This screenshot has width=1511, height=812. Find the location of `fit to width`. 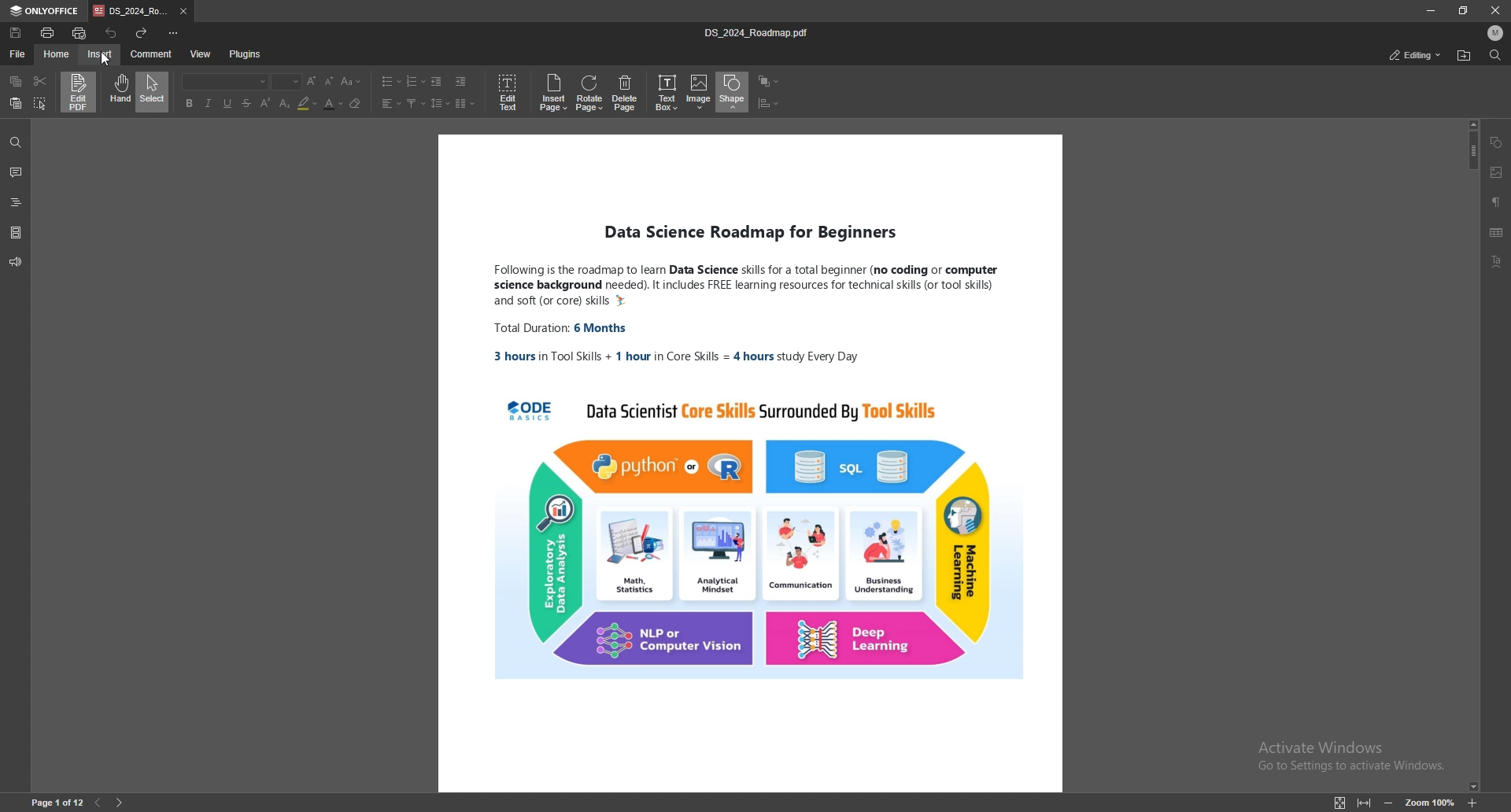

fit to width is located at coordinates (1365, 803).